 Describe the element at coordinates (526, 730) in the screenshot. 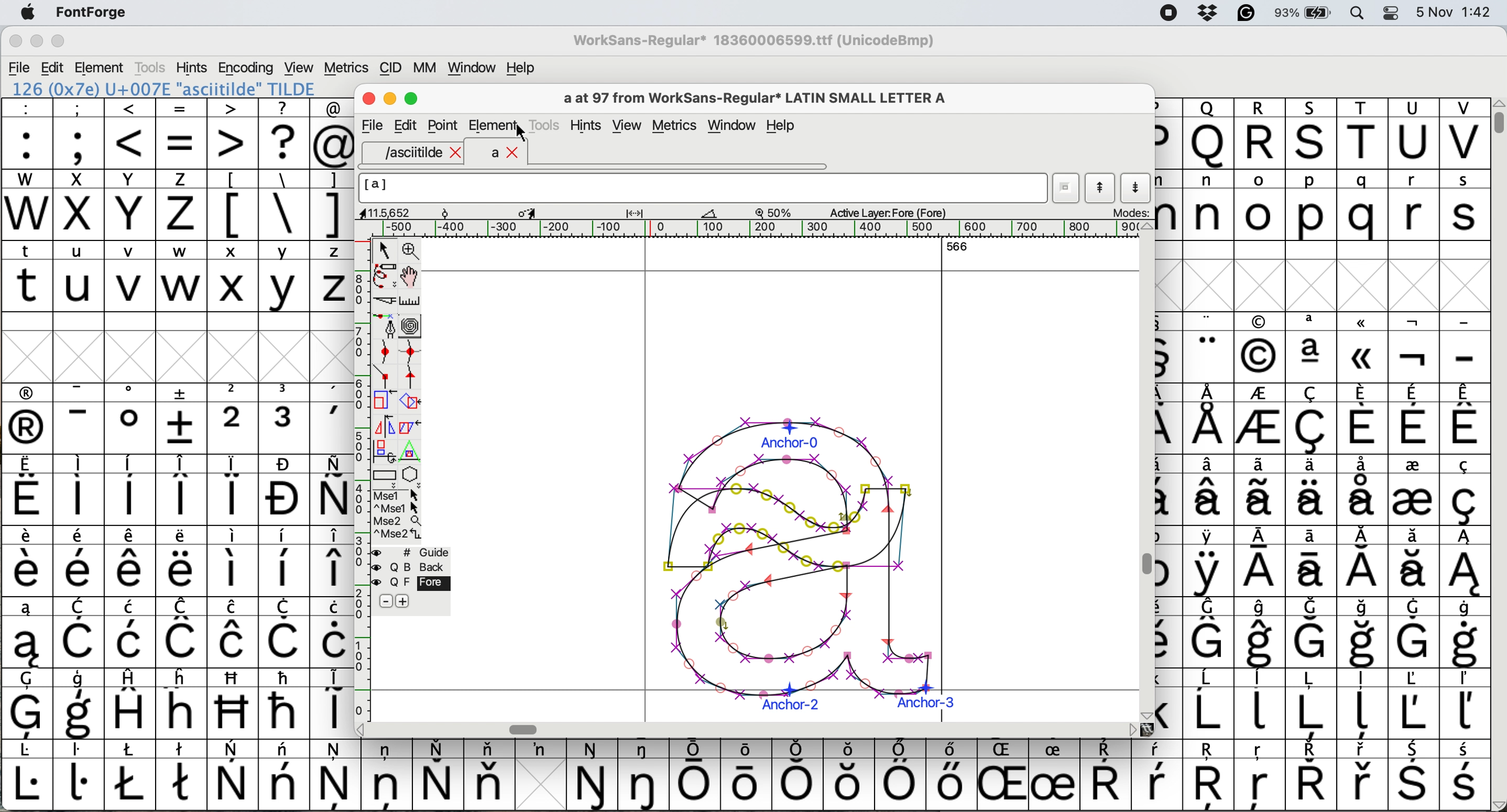

I see `Horizontal scroll bar` at that location.